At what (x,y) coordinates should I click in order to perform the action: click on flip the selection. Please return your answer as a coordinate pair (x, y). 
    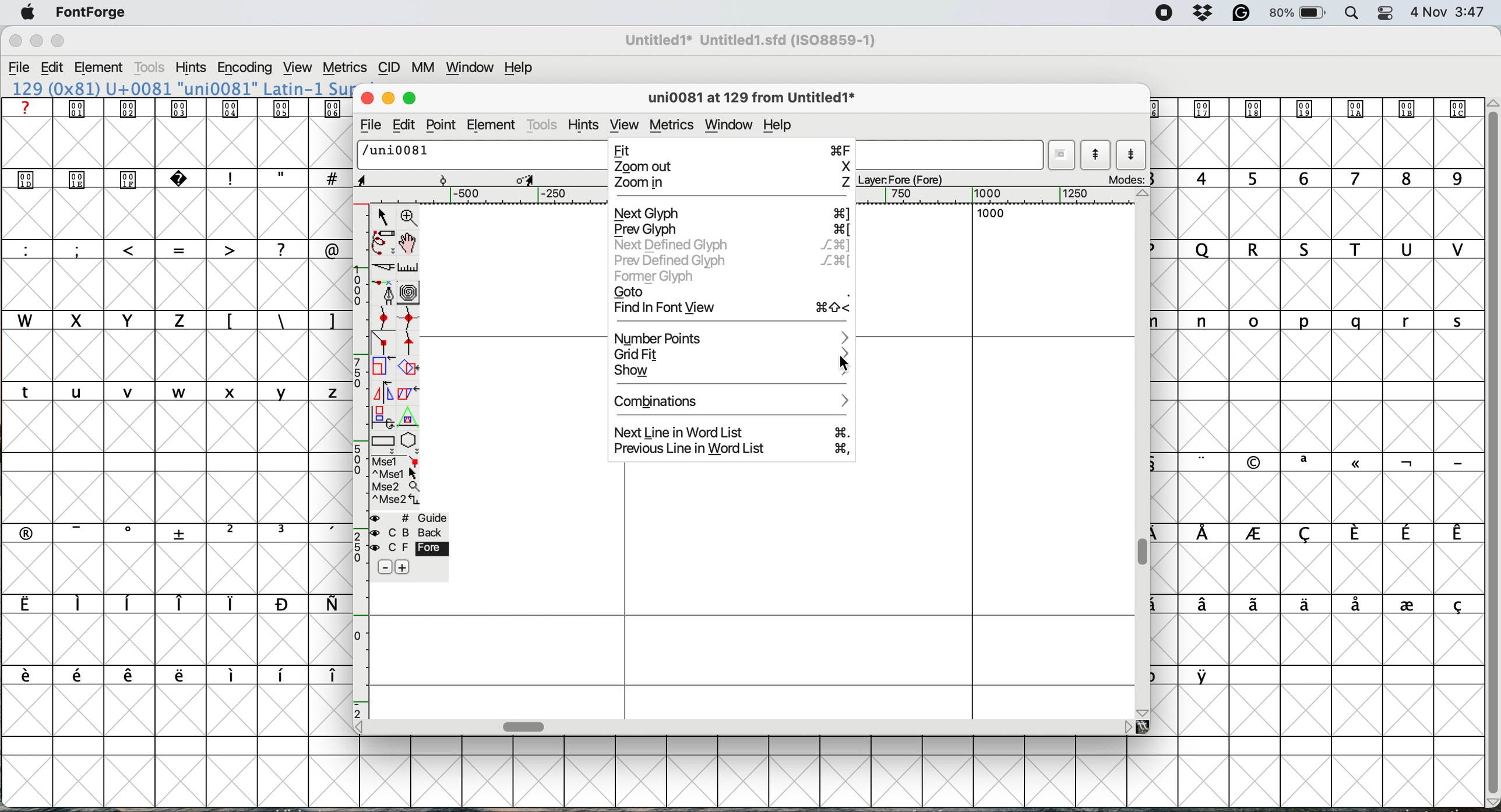
    Looking at the image, I should click on (383, 391).